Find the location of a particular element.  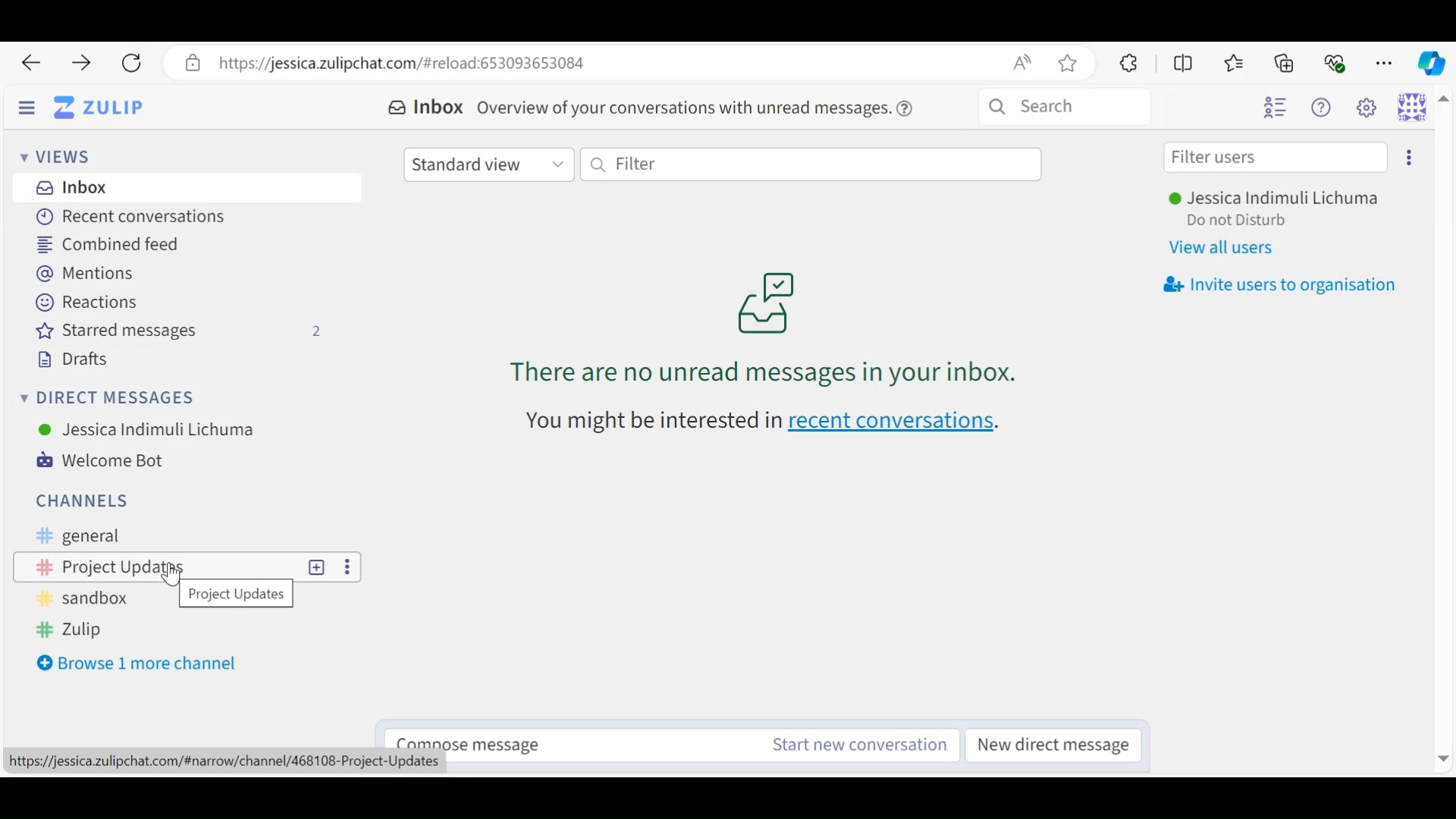

Help Menu is located at coordinates (1325, 108).